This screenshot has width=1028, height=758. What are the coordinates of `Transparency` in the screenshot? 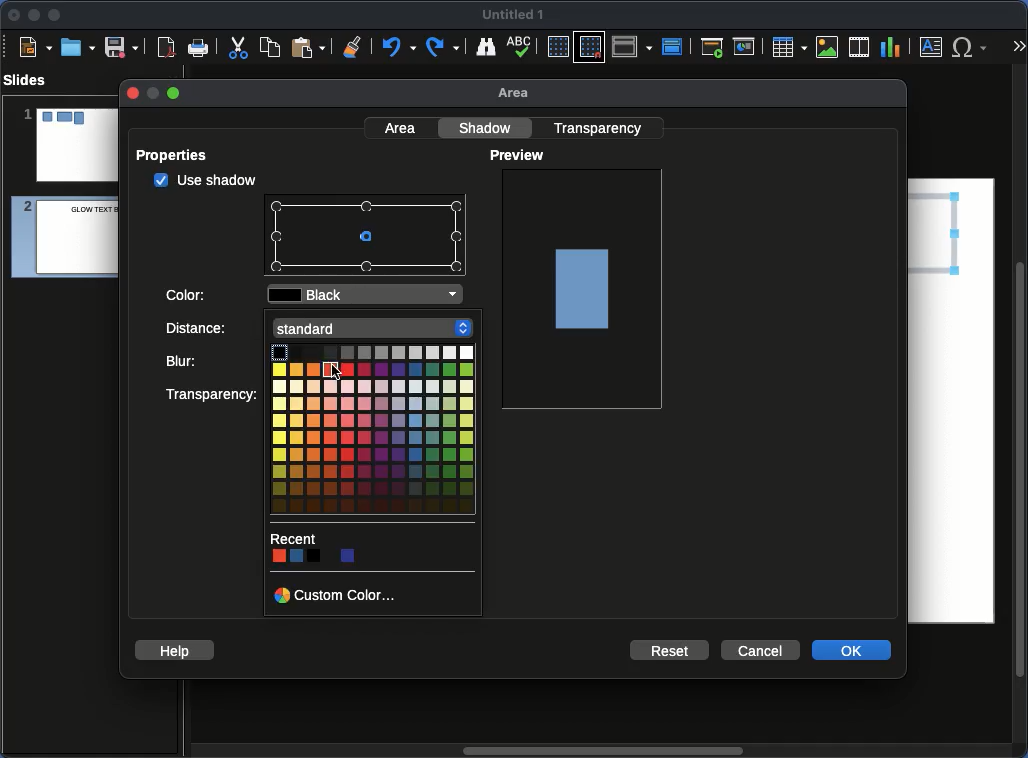 It's located at (213, 394).